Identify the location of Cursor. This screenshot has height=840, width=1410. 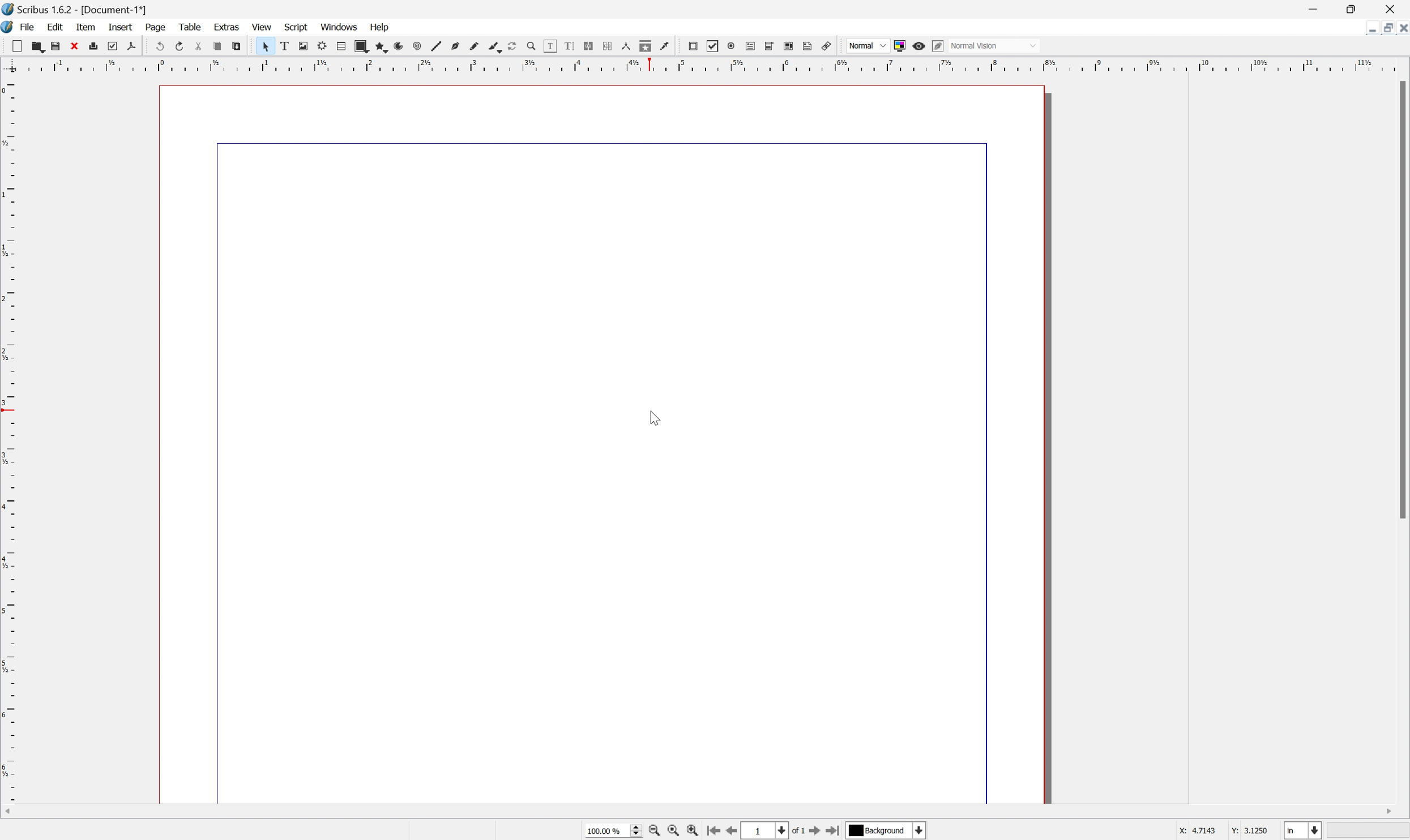
(652, 420).